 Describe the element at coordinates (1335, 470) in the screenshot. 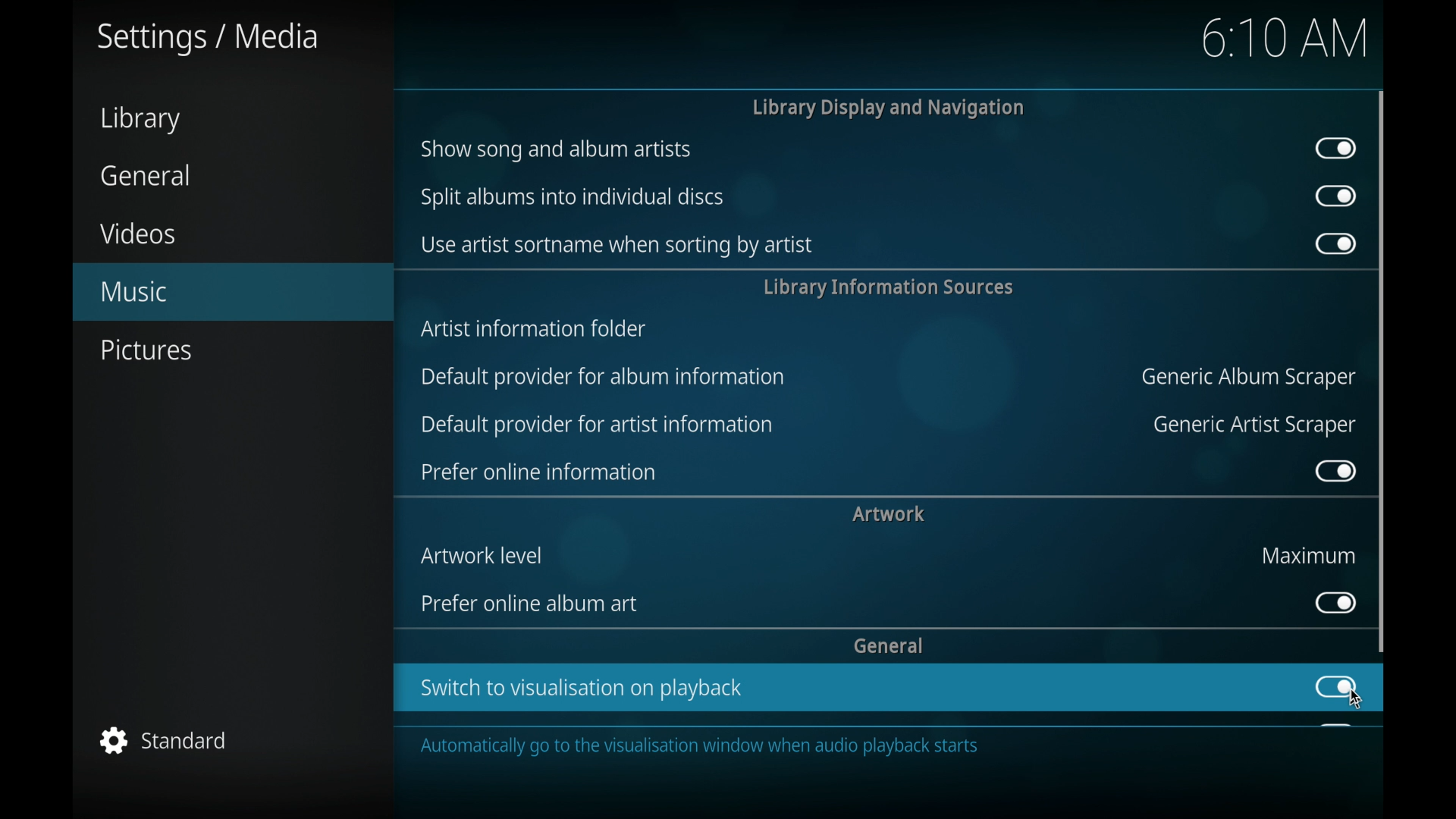

I see `toggle button` at that location.